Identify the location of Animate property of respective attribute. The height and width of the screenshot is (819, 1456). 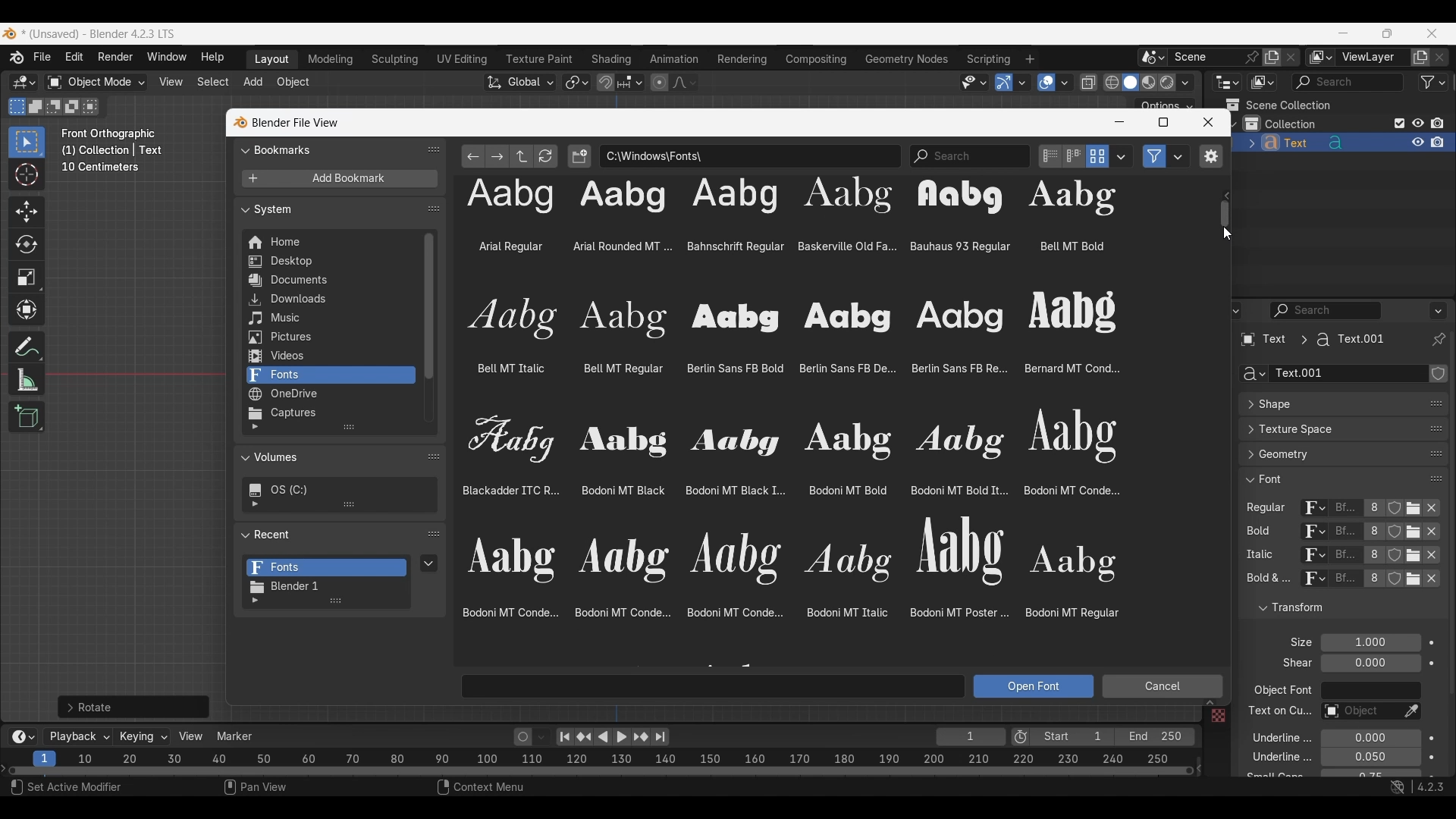
(1432, 708).